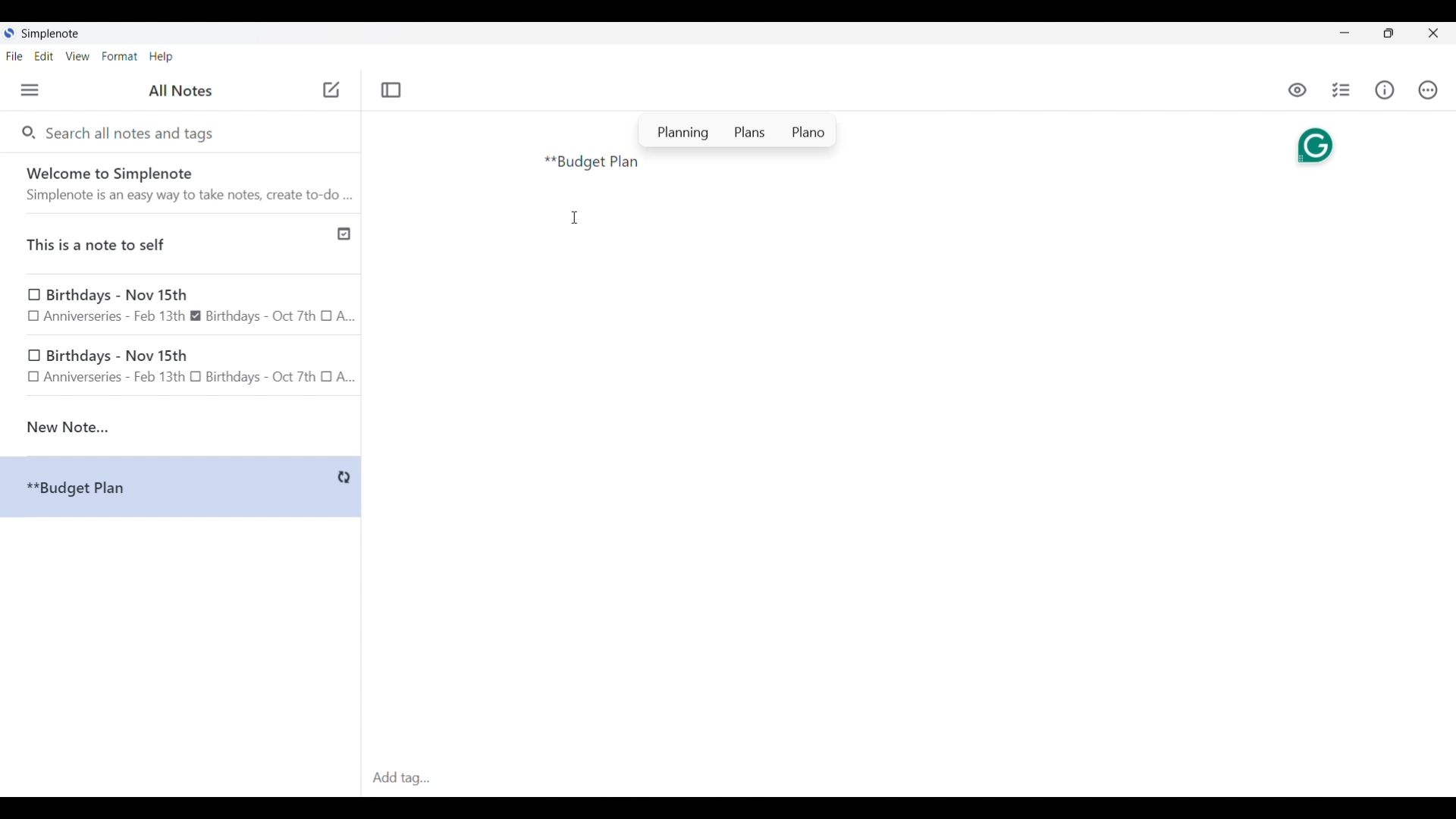 The image size is (1456, 819). What do you see at coordinates (133, 132) in the screenshot?
I see `Search all notes and tags` at bounding box center [133, 132].